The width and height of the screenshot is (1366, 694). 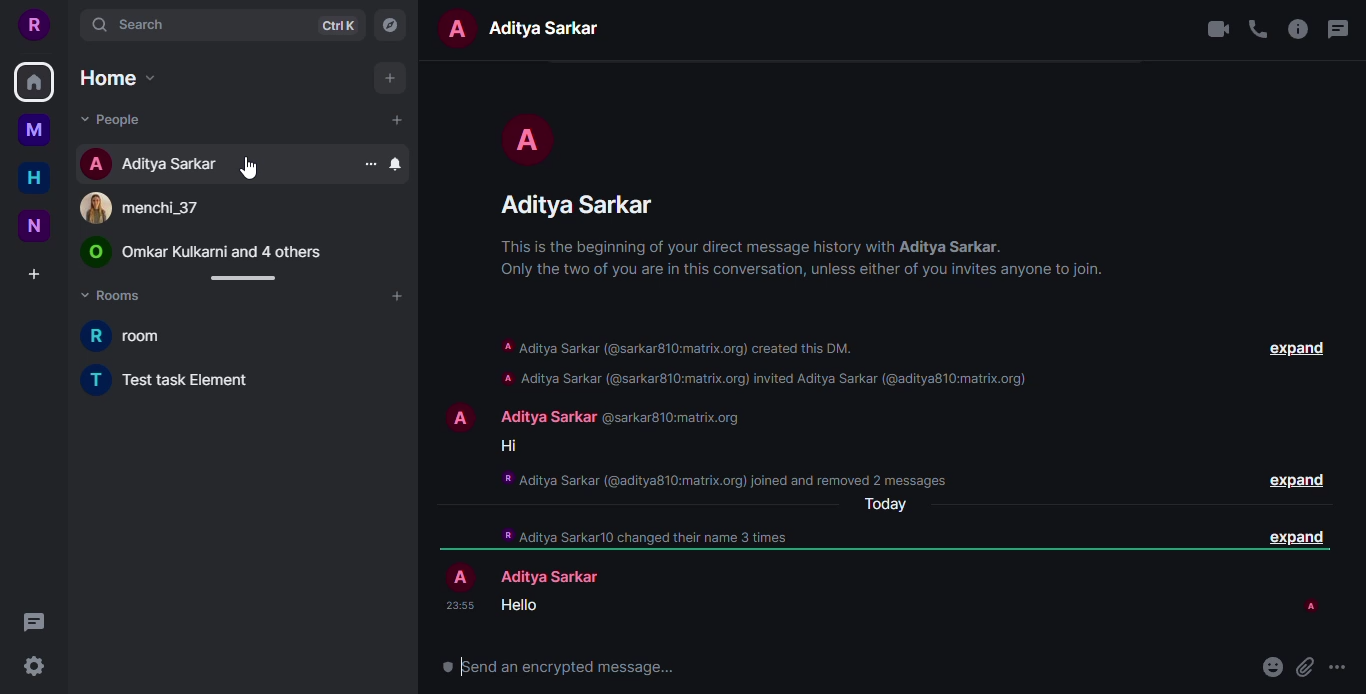 I want to click on send an encrypted message, so click(x=560, y=668).